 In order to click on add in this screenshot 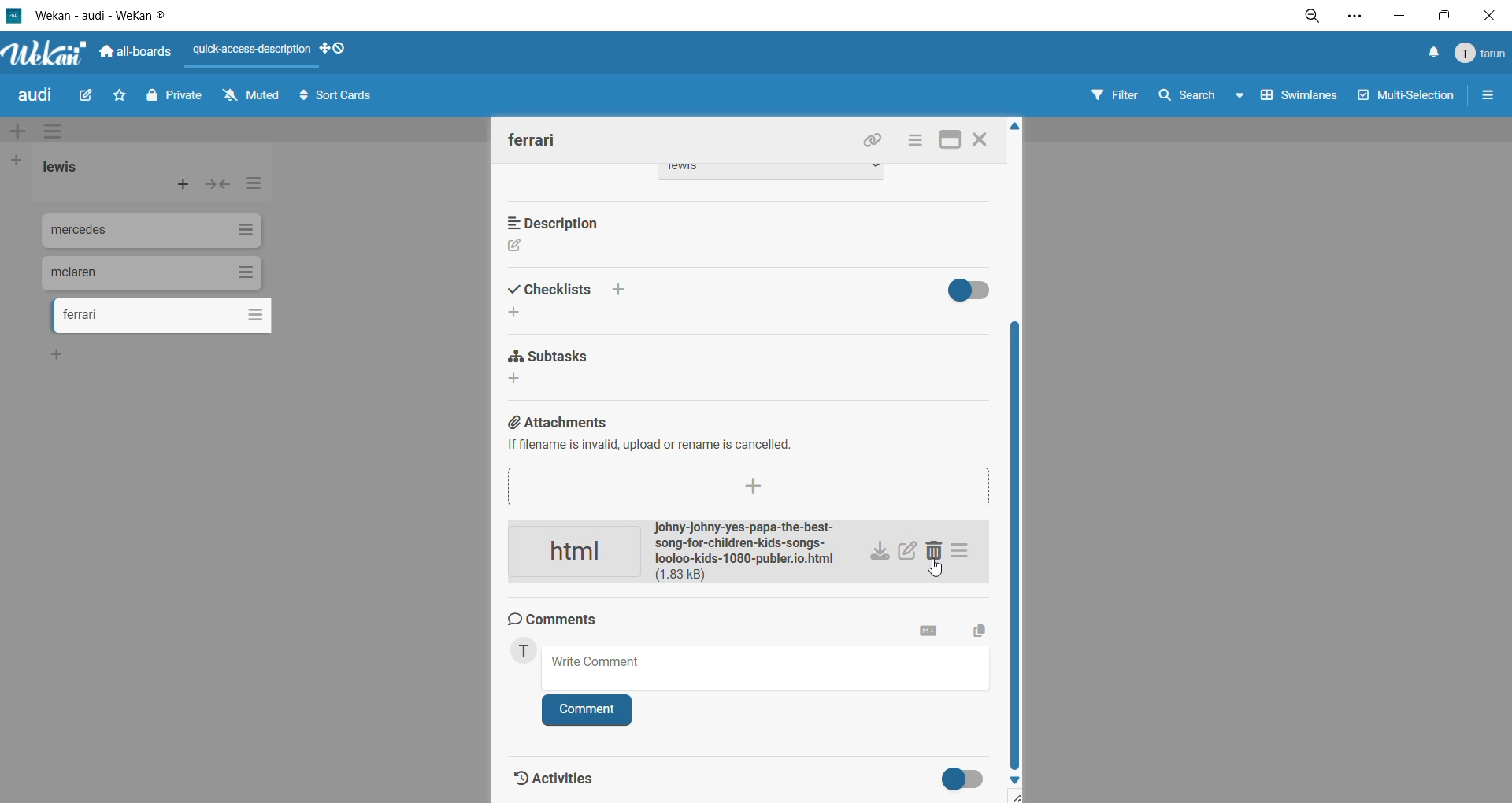, I will do `click(59, 354)`.